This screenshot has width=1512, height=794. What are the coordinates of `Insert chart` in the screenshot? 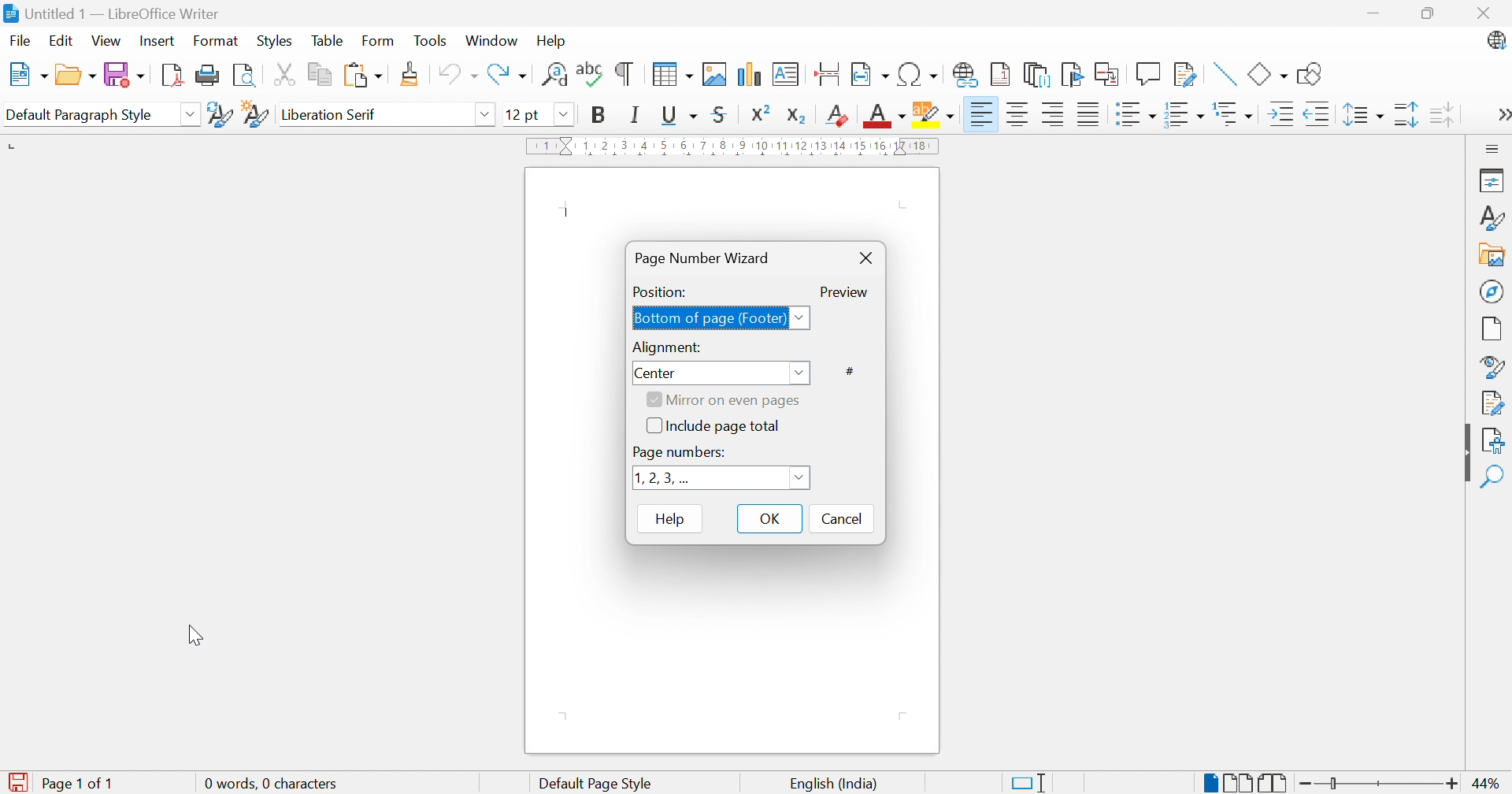 It's located at (750, 74).